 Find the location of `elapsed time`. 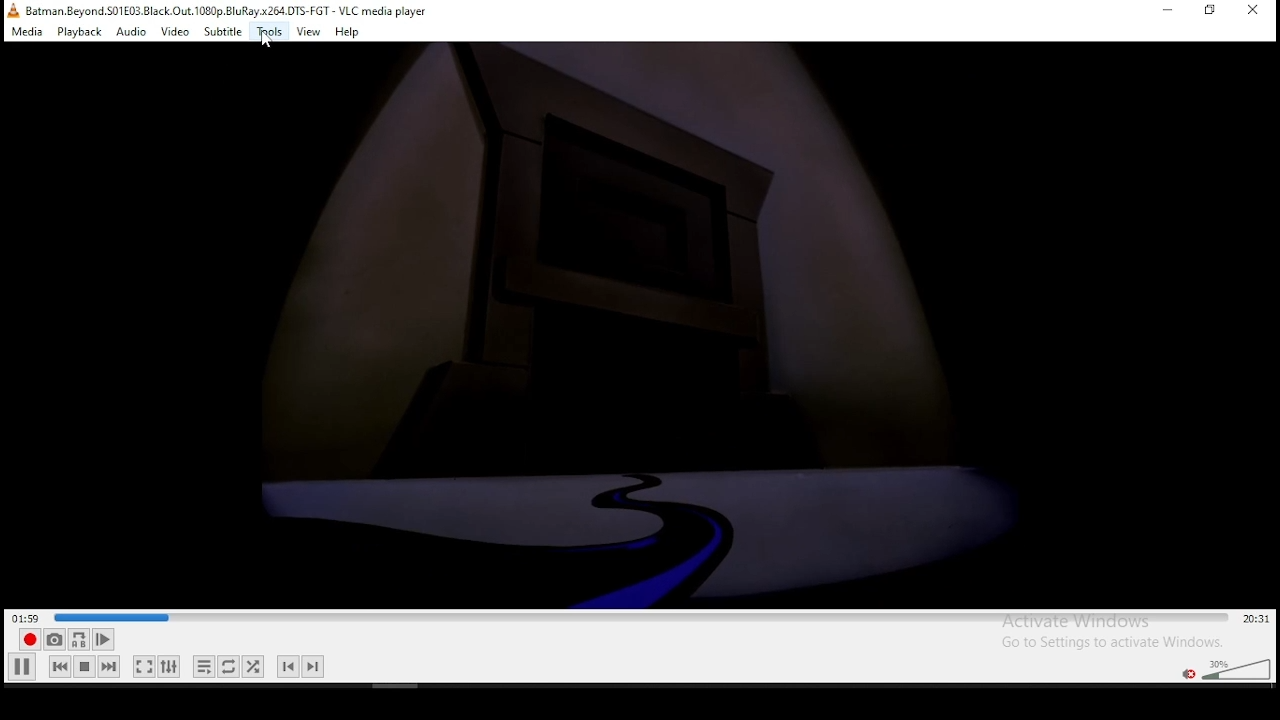

elapsed time is located at coordinates (28, 617).